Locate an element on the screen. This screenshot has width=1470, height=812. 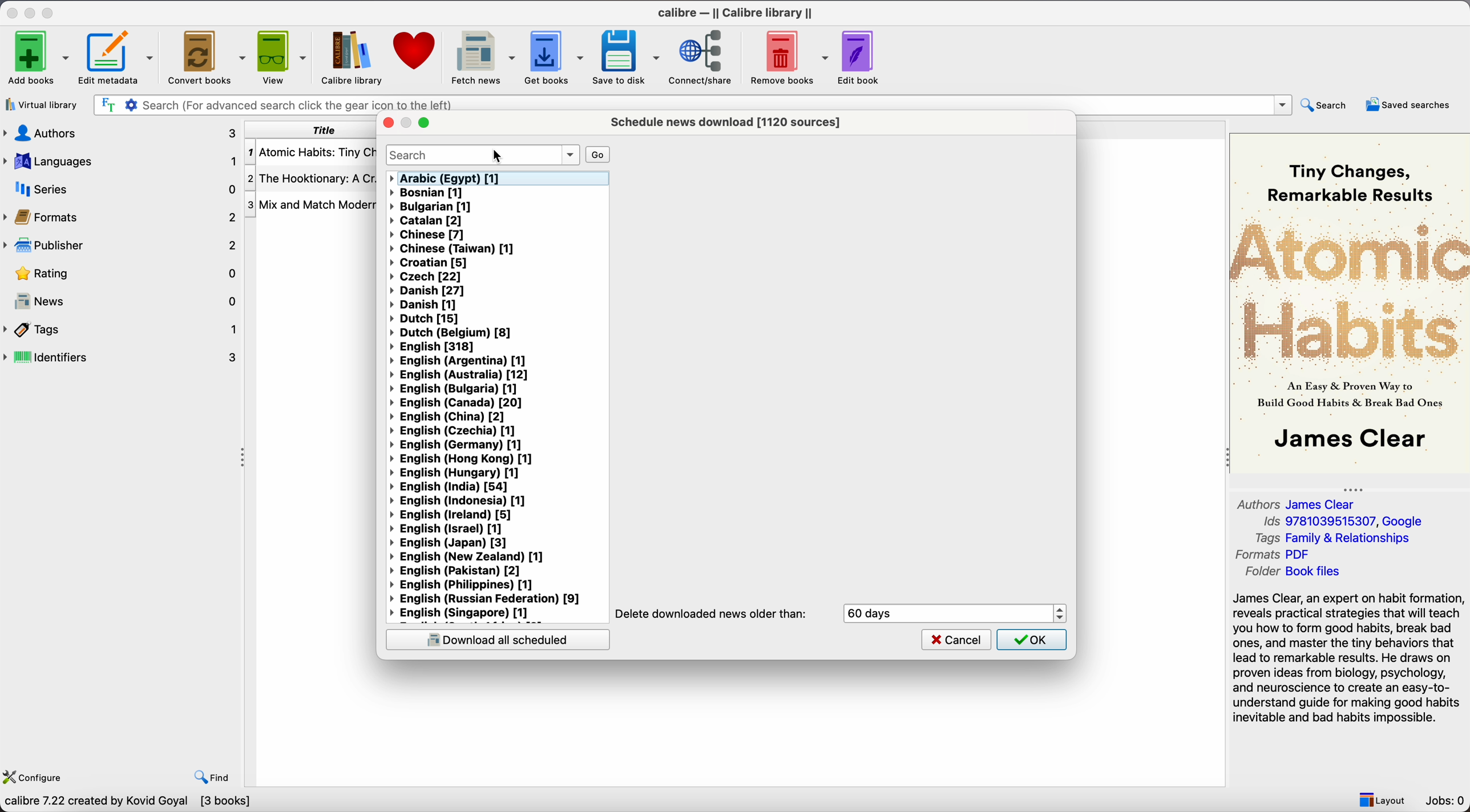
Arabic (Egypt) [1] is located at coordinates (443, 179).